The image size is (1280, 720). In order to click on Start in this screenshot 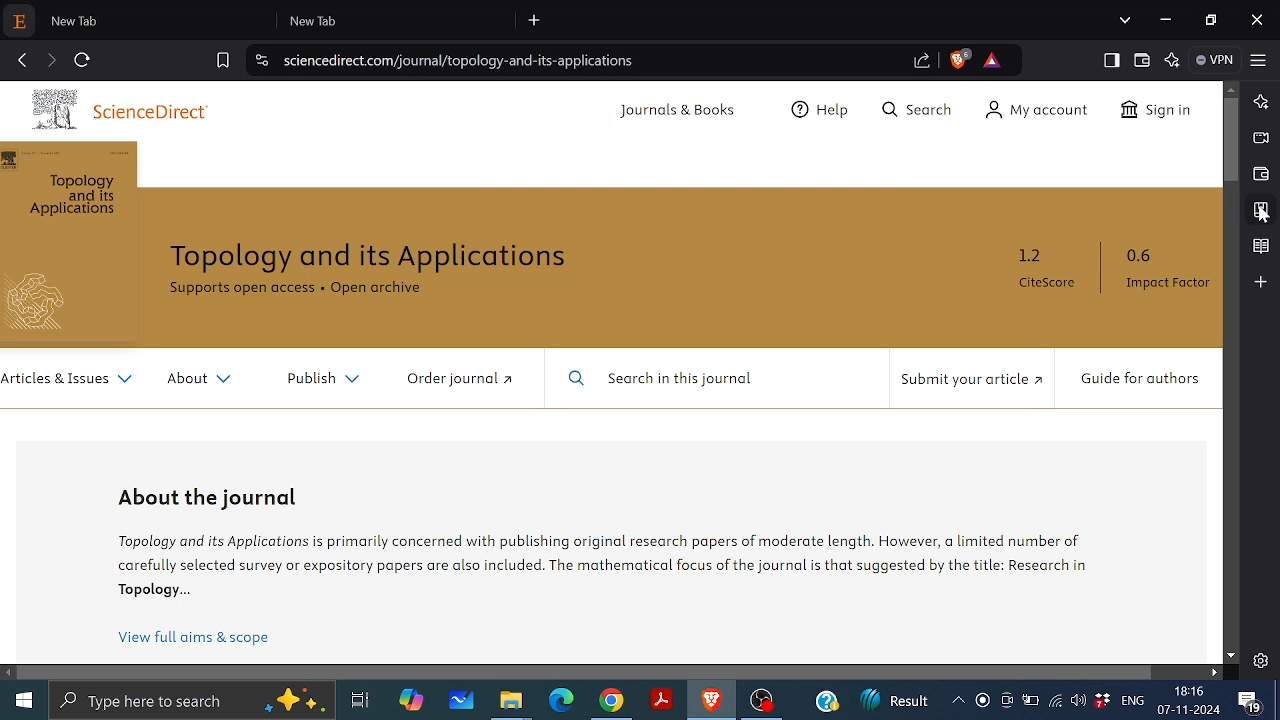, I will do `click(20, 701)`.